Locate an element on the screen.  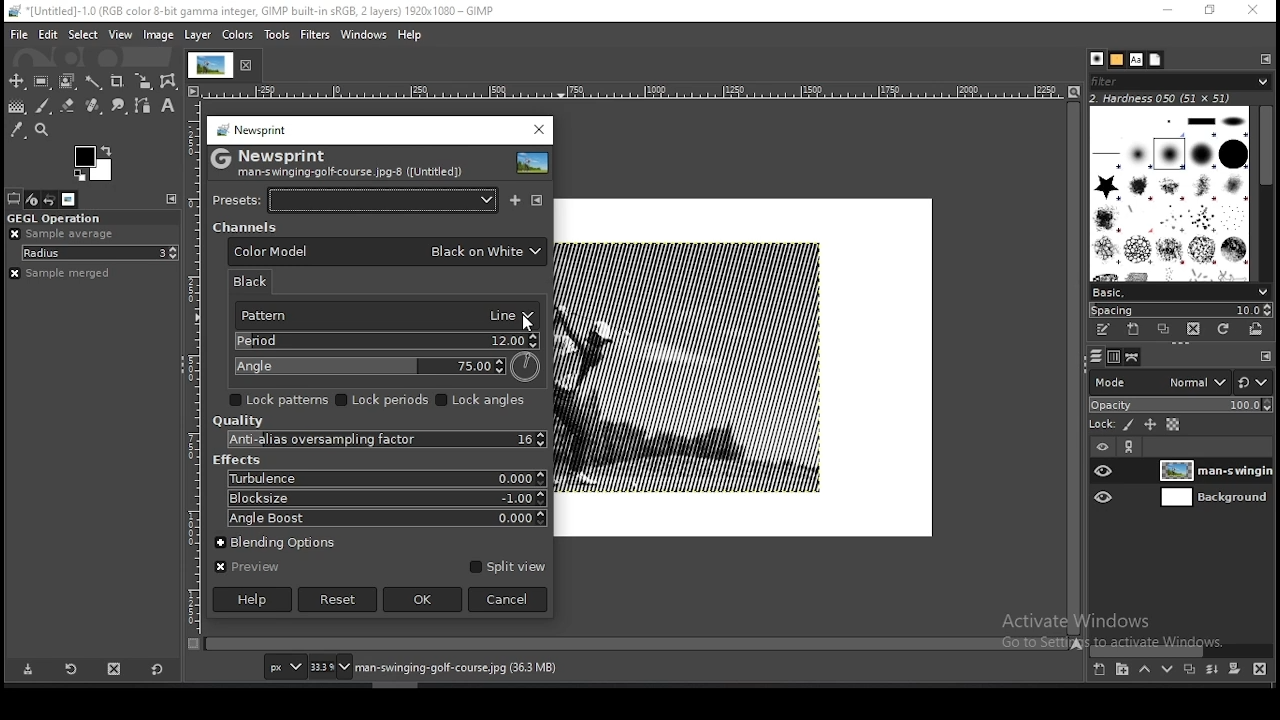
filters is located at coordinates (316, 34).